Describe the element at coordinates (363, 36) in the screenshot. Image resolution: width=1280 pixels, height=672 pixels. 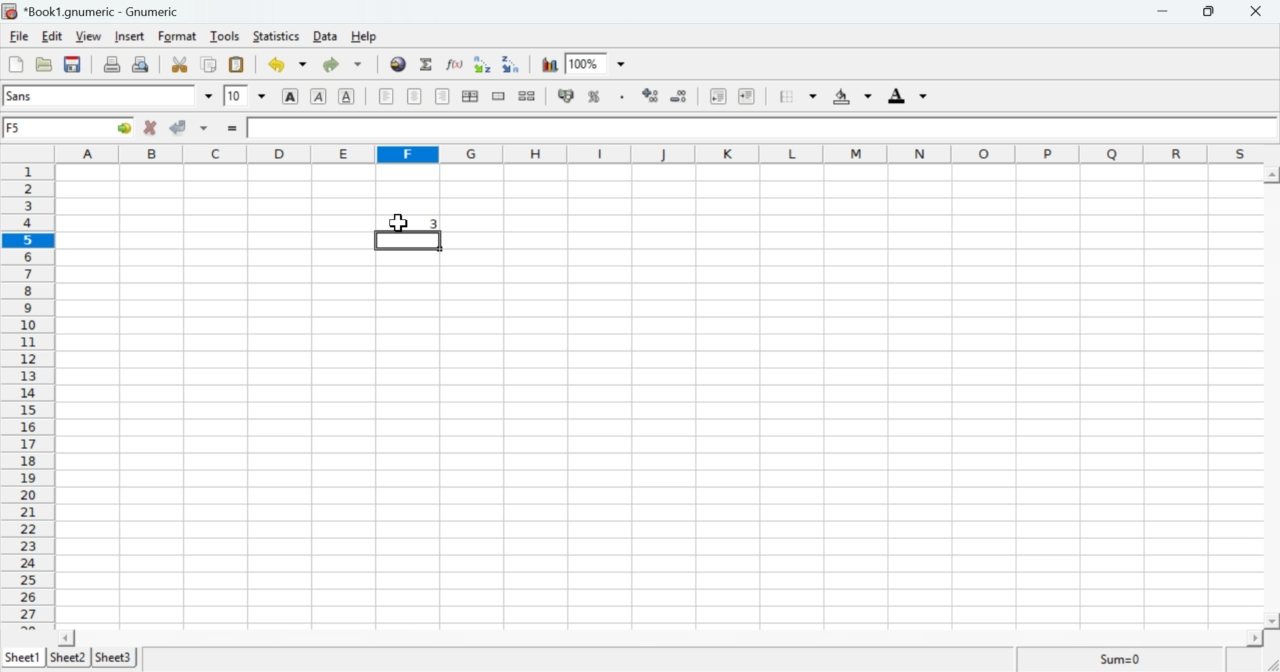
I see `Help` at that location.